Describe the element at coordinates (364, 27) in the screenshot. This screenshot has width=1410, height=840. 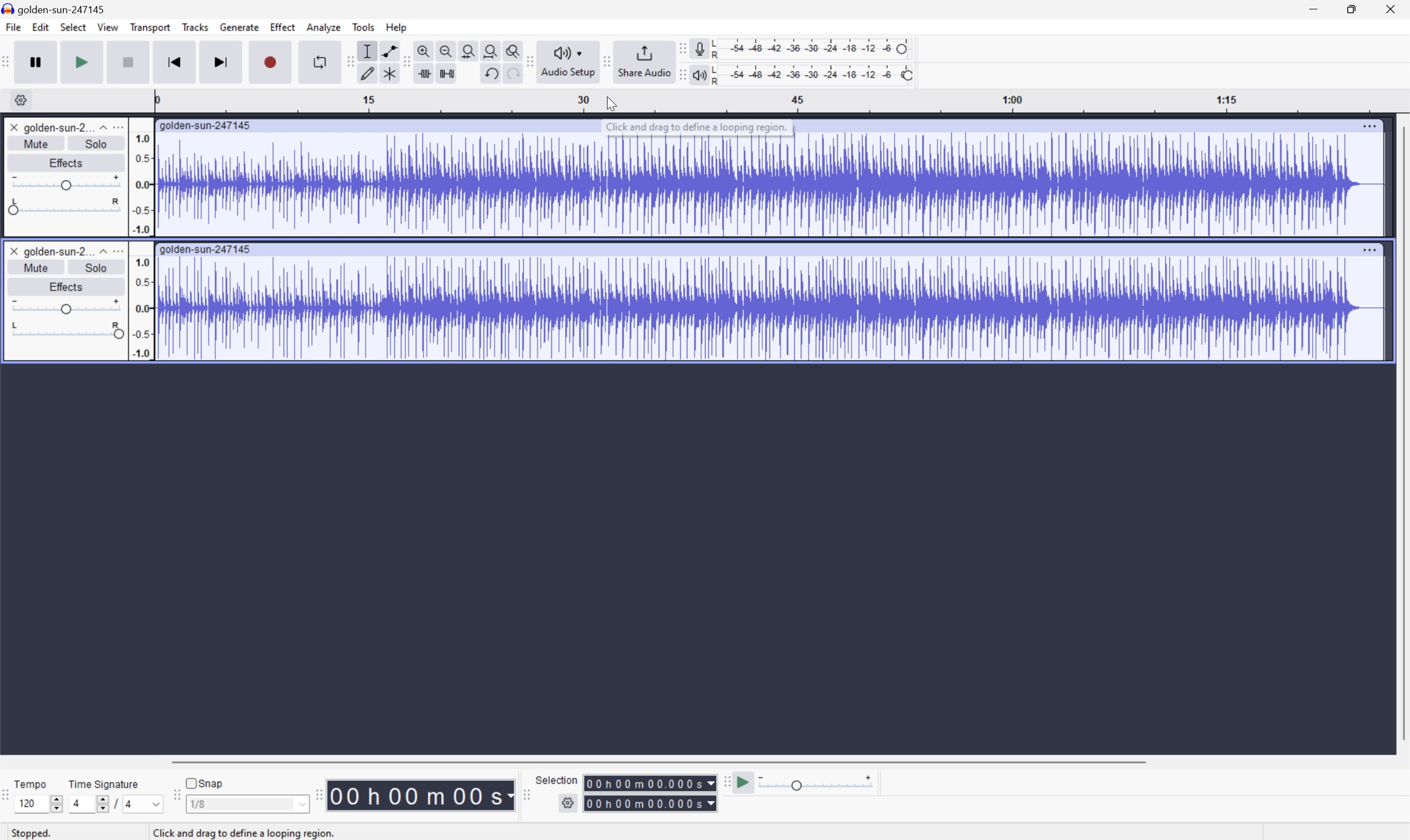
I see `Tools` at that location.